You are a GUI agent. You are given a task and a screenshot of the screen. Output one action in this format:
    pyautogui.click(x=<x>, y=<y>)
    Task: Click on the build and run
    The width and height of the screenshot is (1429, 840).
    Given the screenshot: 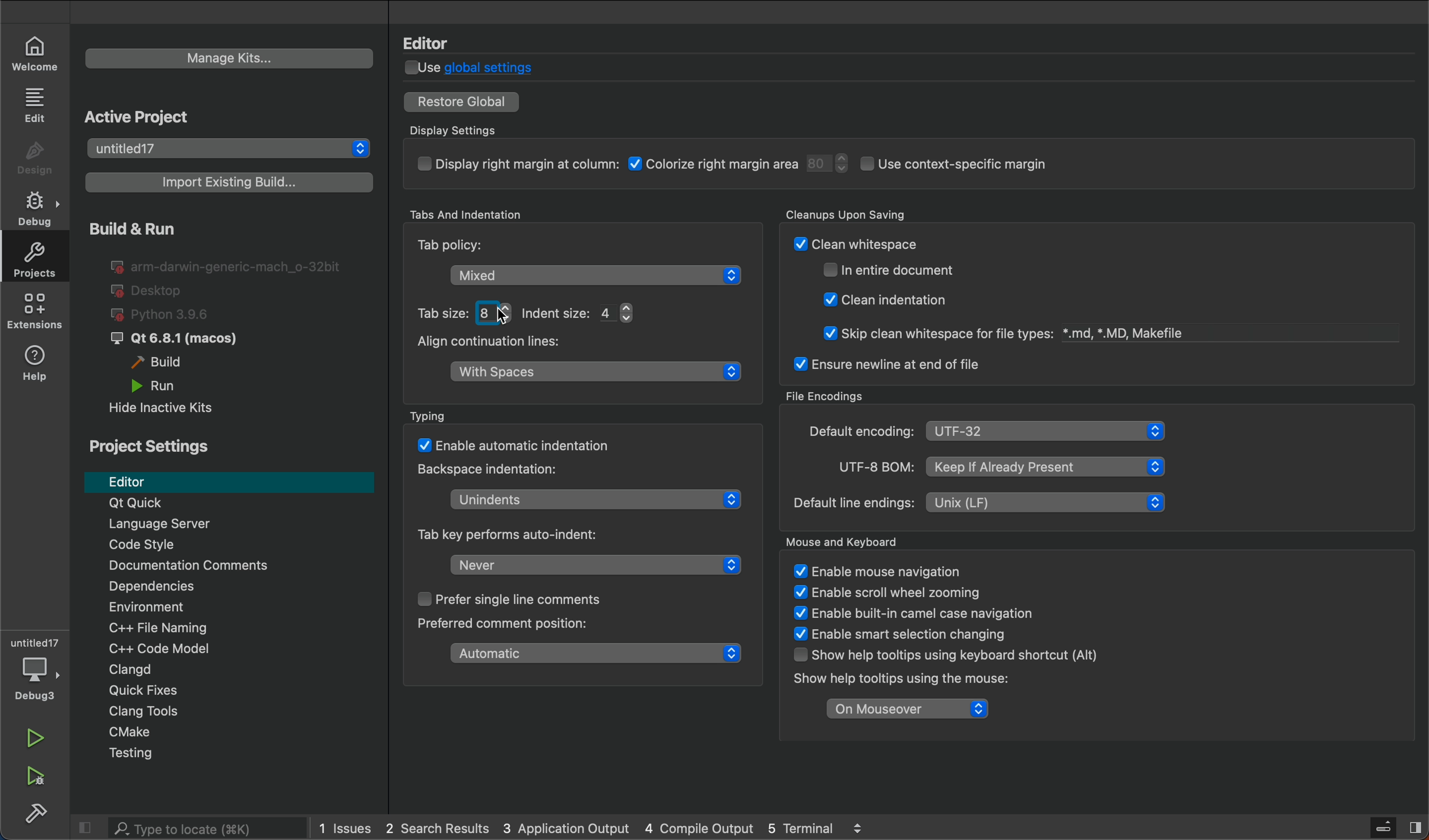 What is the action you would take?
    pyautogui.click(x=129, y=228)
    